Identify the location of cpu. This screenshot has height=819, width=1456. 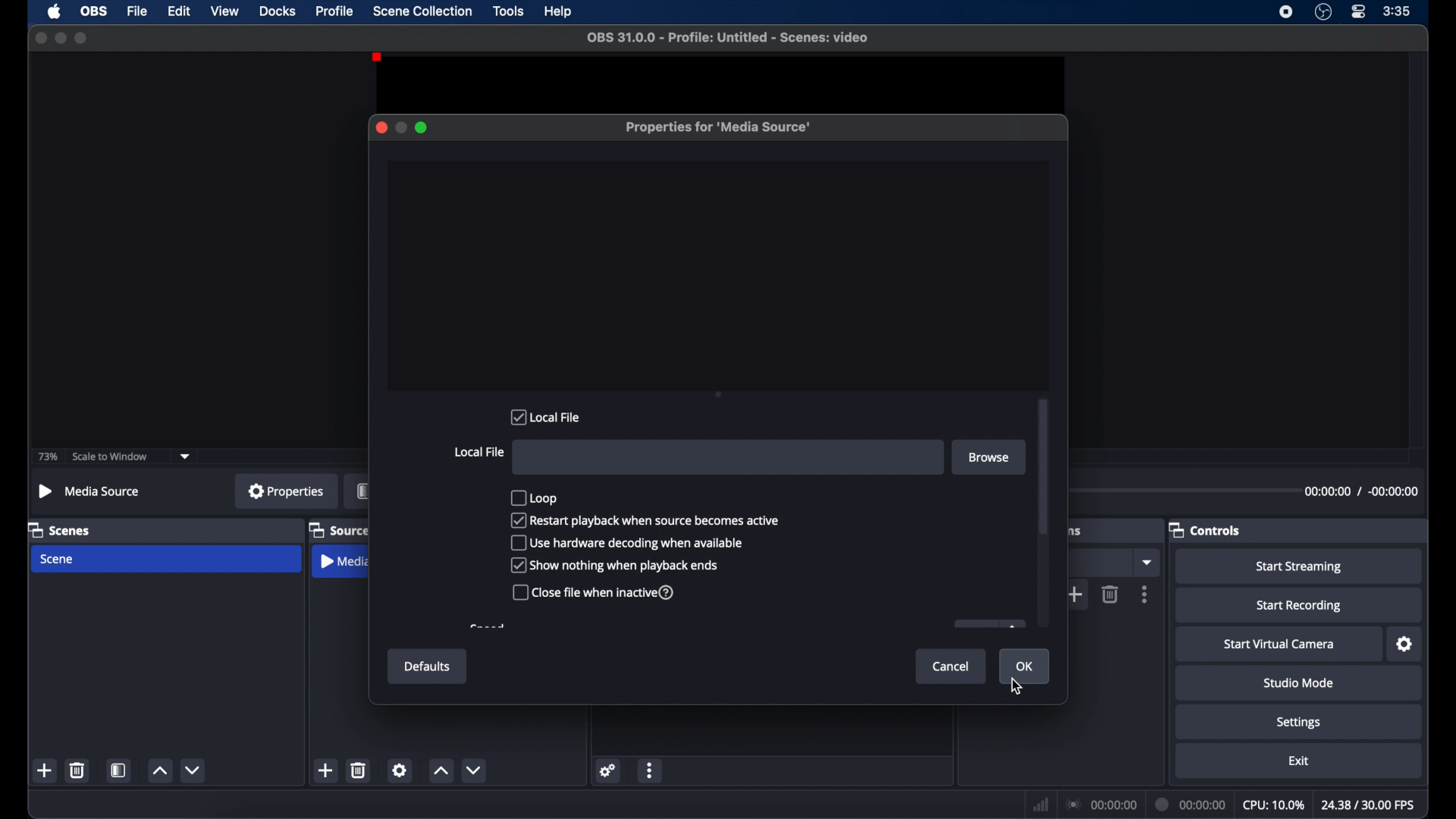
(1273, 803).